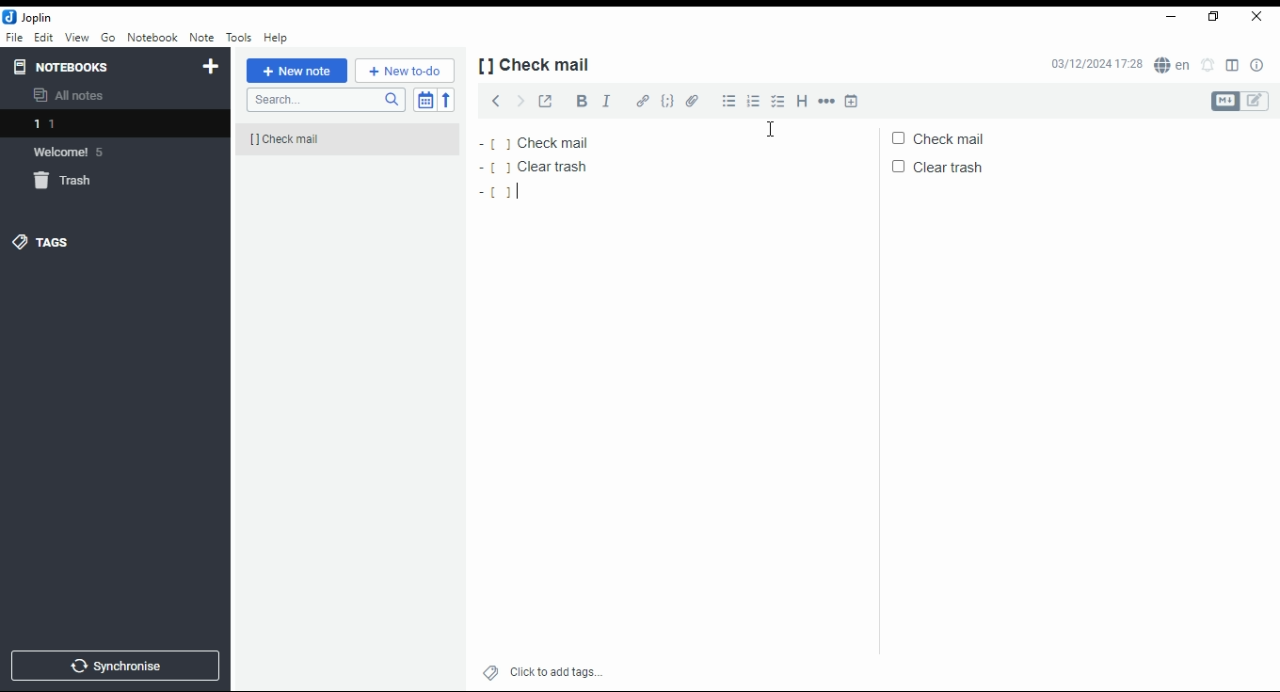 The width and height of the screenshot is (1280, 692). Describe the element at coordinates (1216, 17) in the screenshot. I see `restore` at that location.